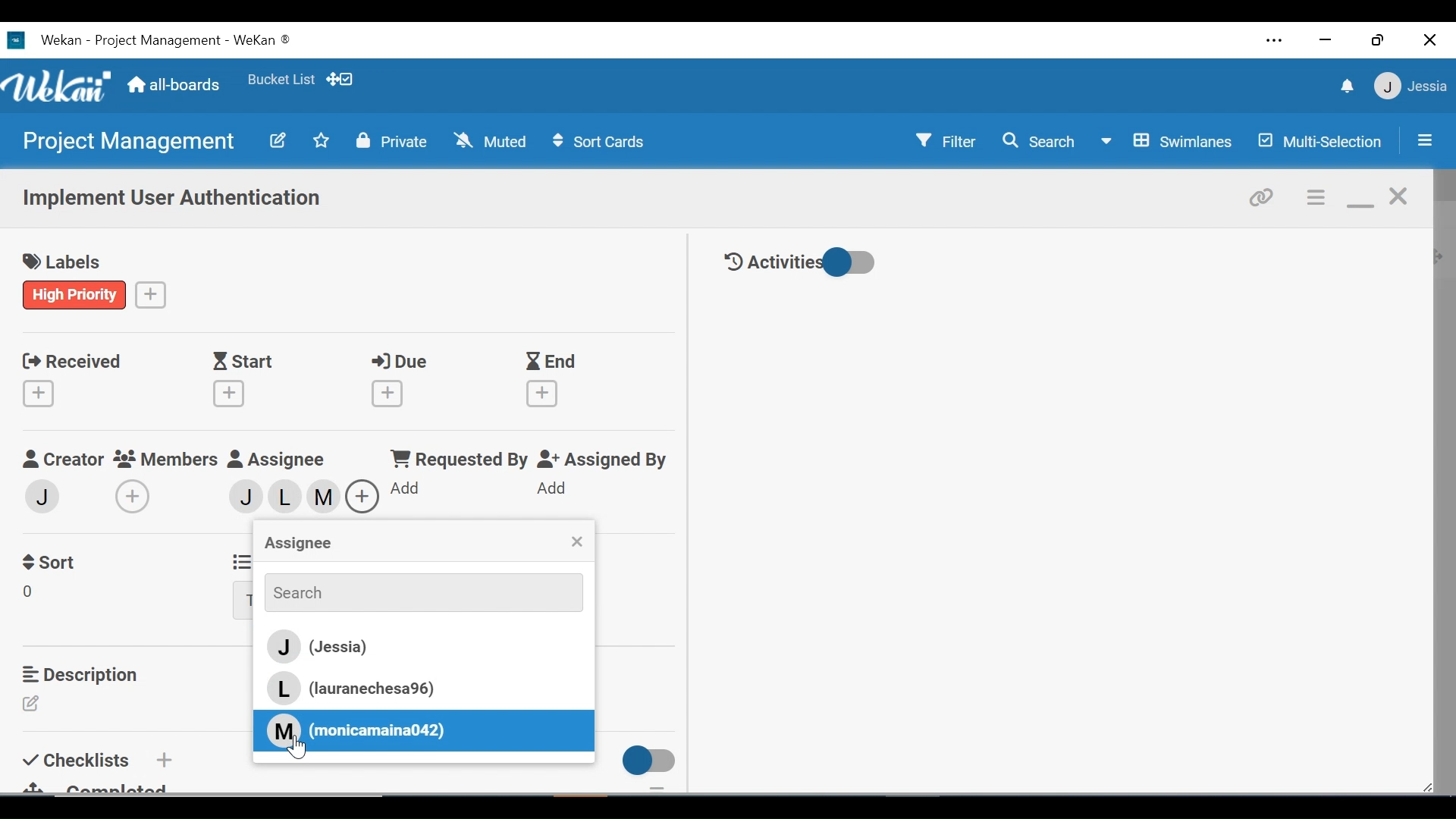 Image resolution: width=1456 pixels, height=819 pixels. What do you see at coordinates (365, 689) in the screenshot?
I see `(lauranechesa96)` at bounding box center [365, 689].